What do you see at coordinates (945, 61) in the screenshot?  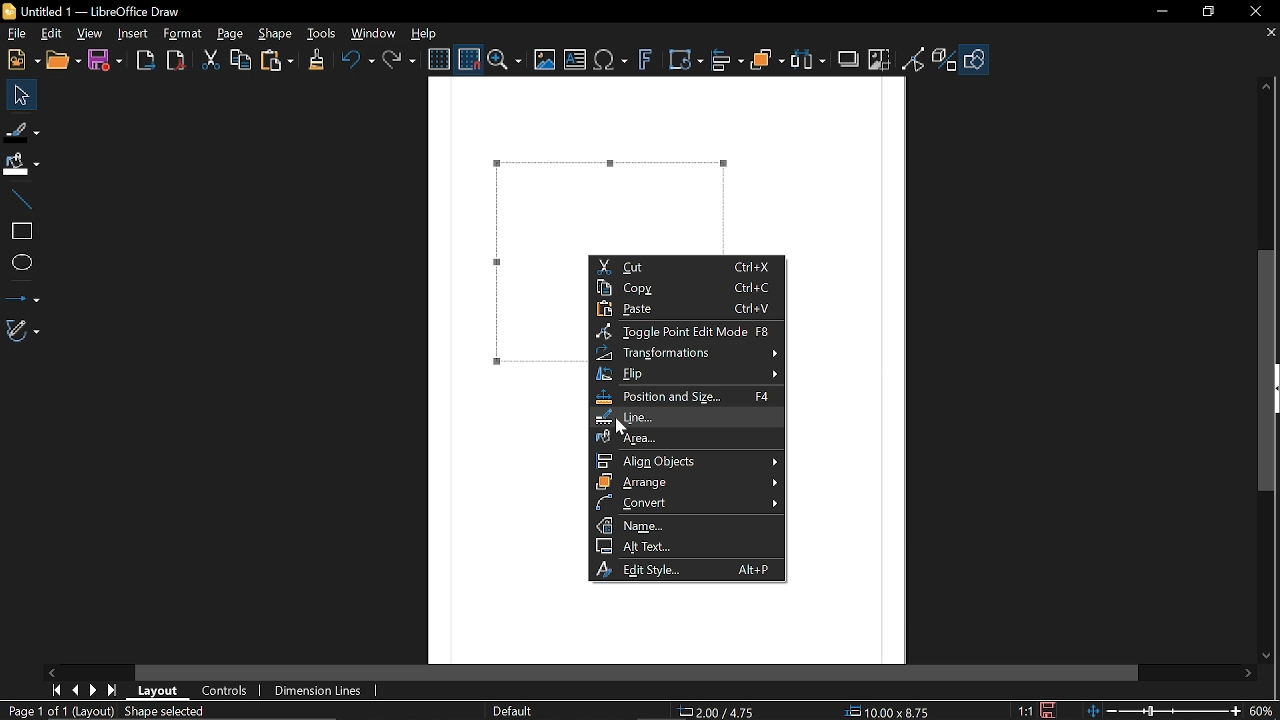 I see `Toggle extrusion` at bounding box center [945, 61].